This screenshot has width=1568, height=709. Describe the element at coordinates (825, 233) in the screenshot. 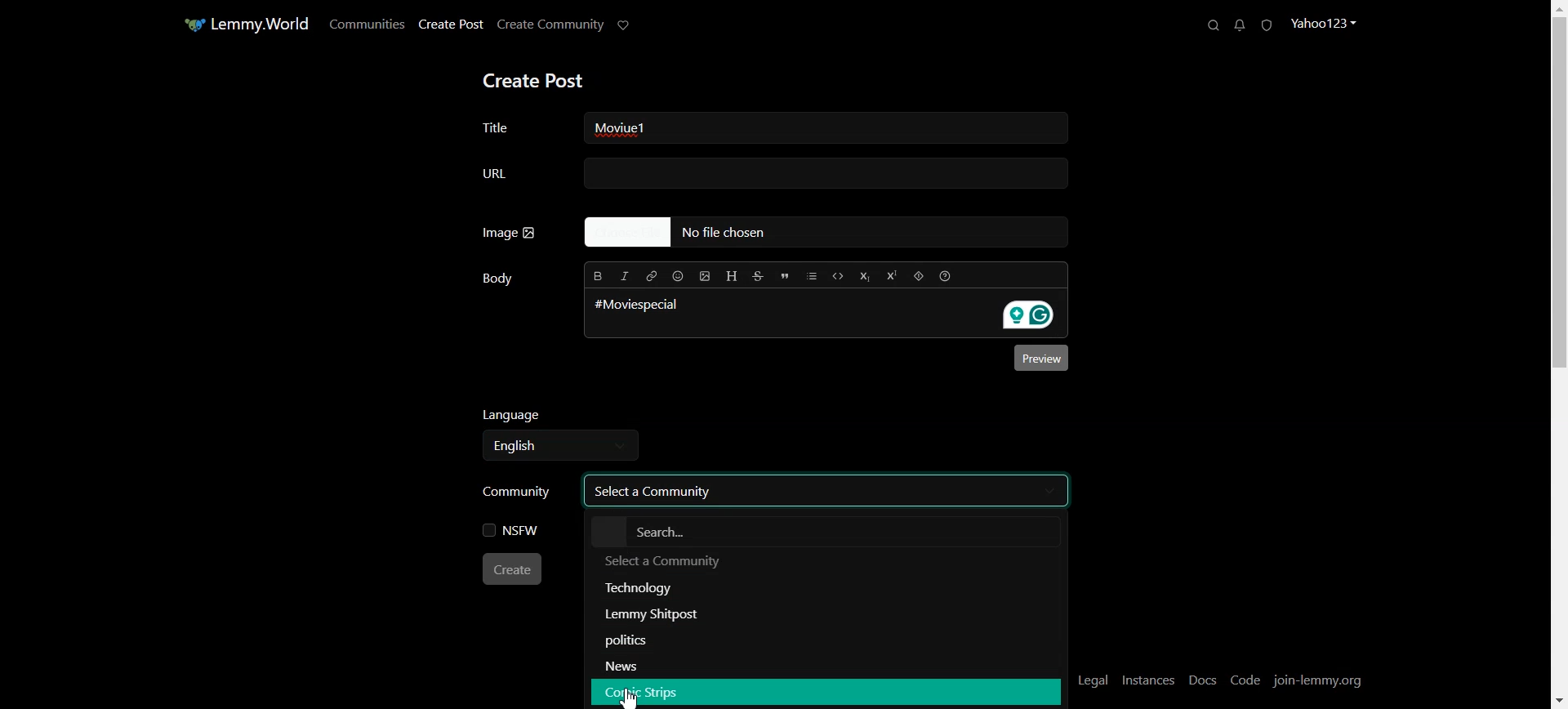

I see `No file Chosen` at that location.